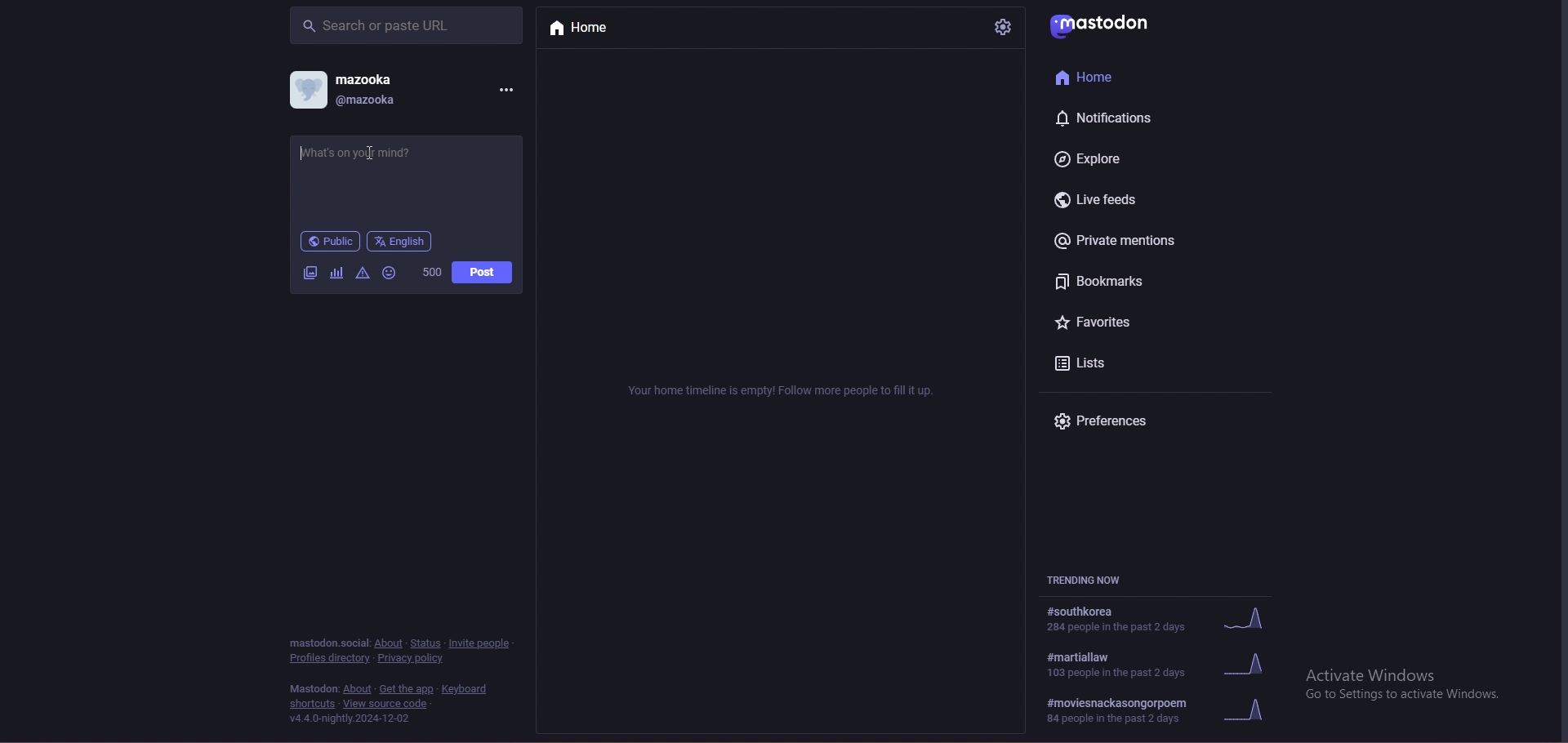  Describe the element at coordinates (413, 657) in the screenshot. I see `privacy policy` at that location.